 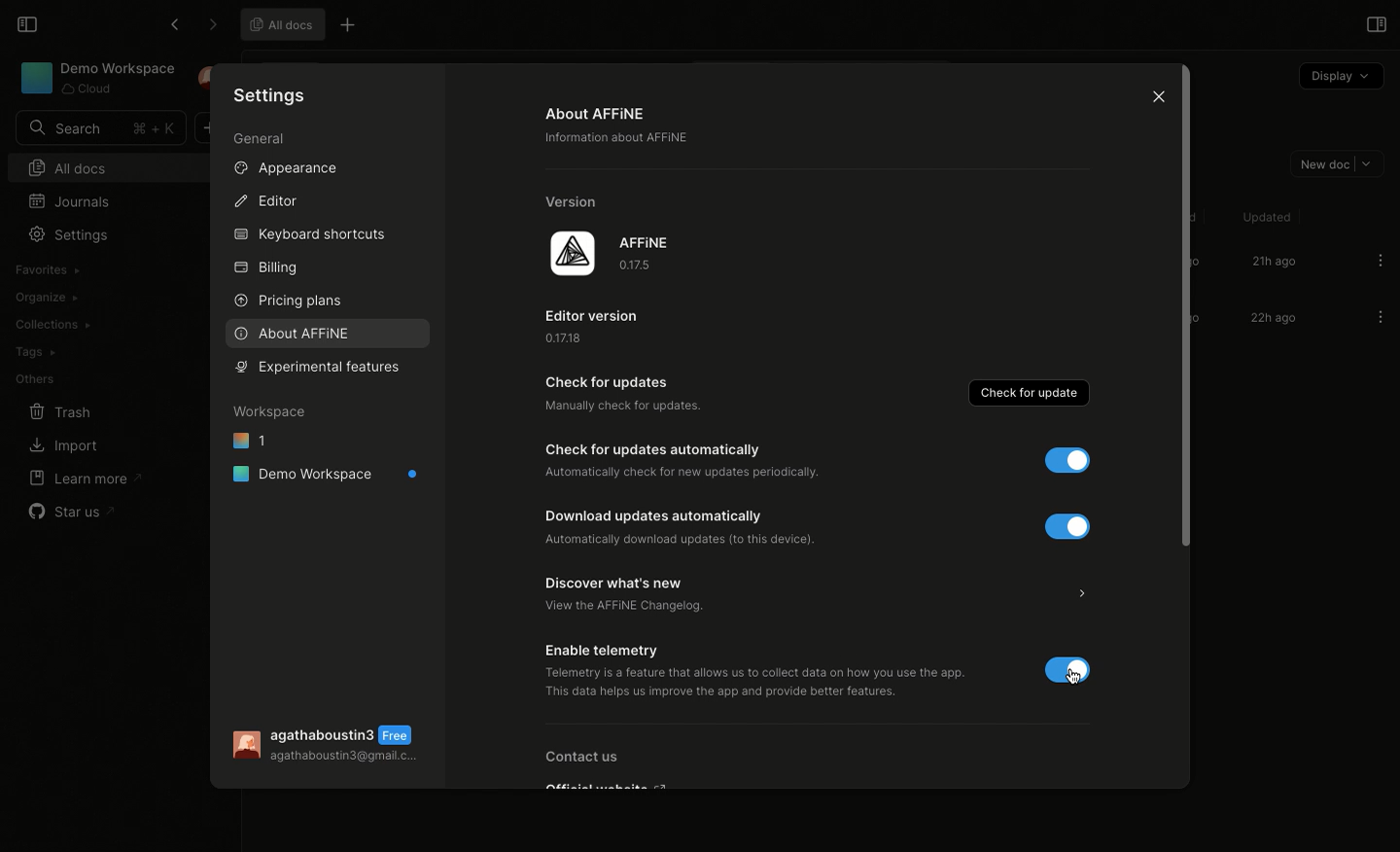 I want to click on Workspace, so click(x=271, y=410).